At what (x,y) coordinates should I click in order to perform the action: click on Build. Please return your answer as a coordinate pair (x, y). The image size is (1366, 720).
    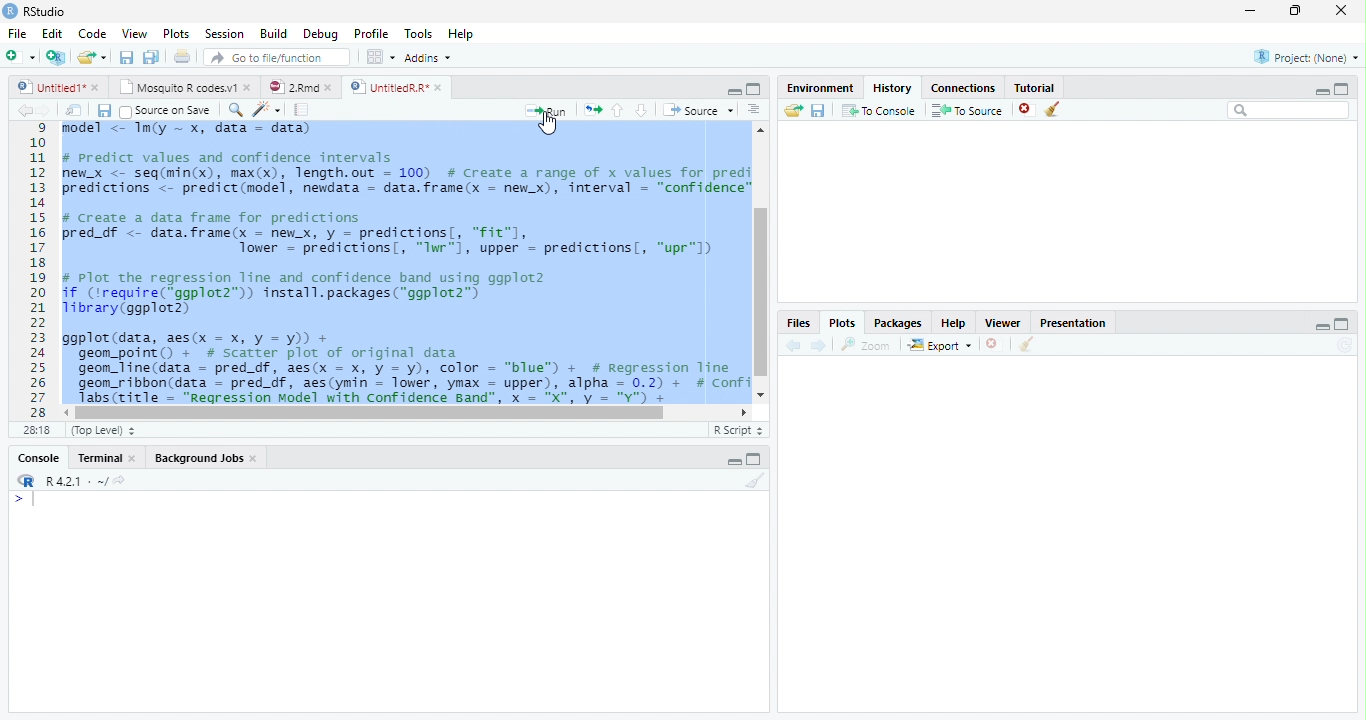
    Looking at the image, I should click on (274, 34).